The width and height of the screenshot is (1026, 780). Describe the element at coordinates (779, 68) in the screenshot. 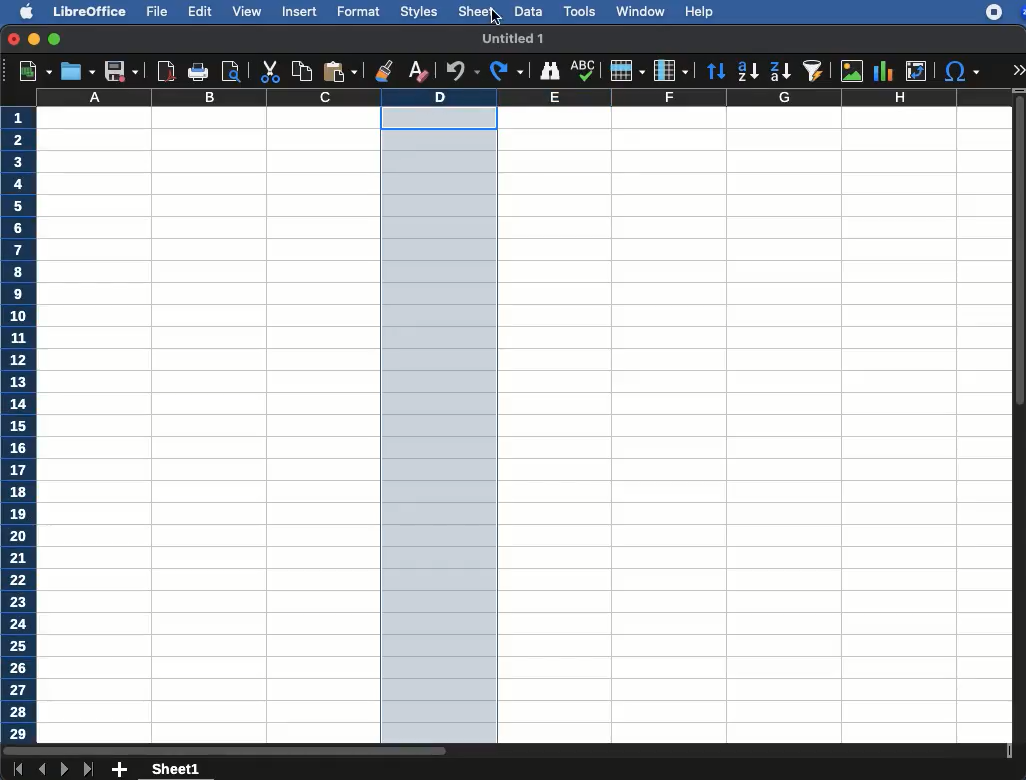

I see `descendinga` at that location.